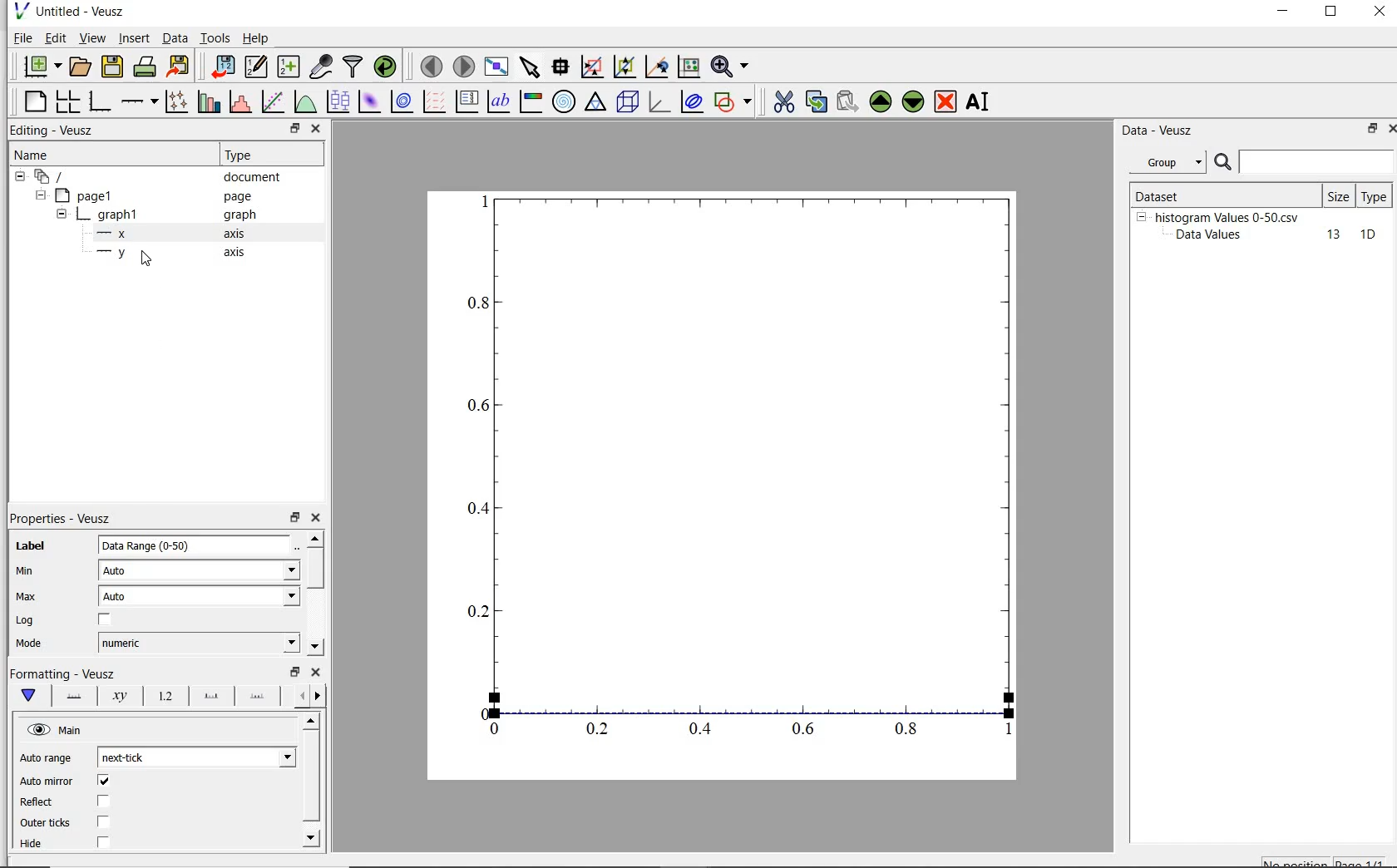 The height and width of the screenshot is (868, 1397). I want to click on cut the the selected widget, so click(782, 104).